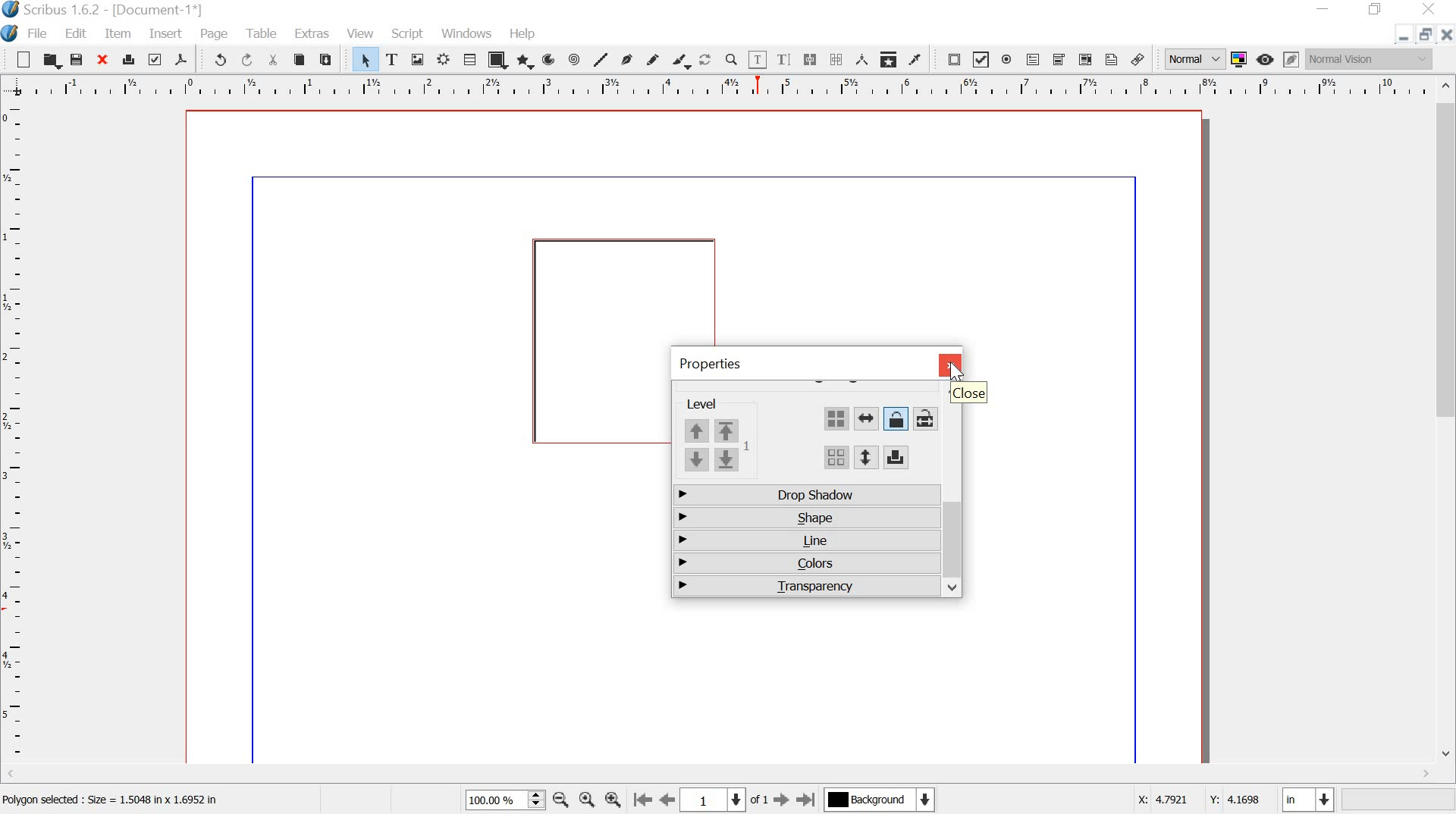  What do you see at coordinates (166, 34) in the screenshot?
I see `insert` at bounding box center [166, 34].